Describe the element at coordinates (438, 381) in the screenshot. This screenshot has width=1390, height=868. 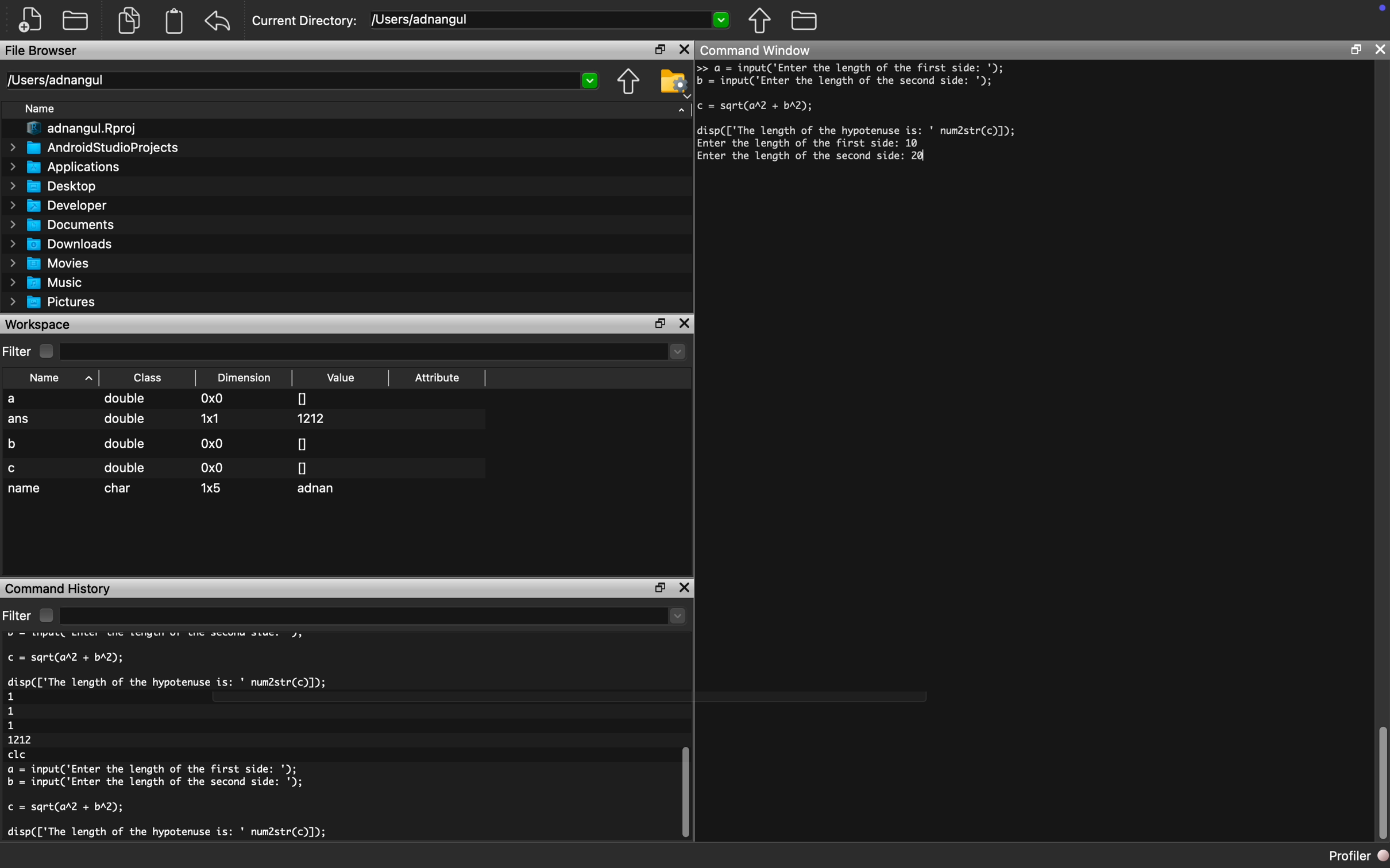
I see `Attribute` at that location.